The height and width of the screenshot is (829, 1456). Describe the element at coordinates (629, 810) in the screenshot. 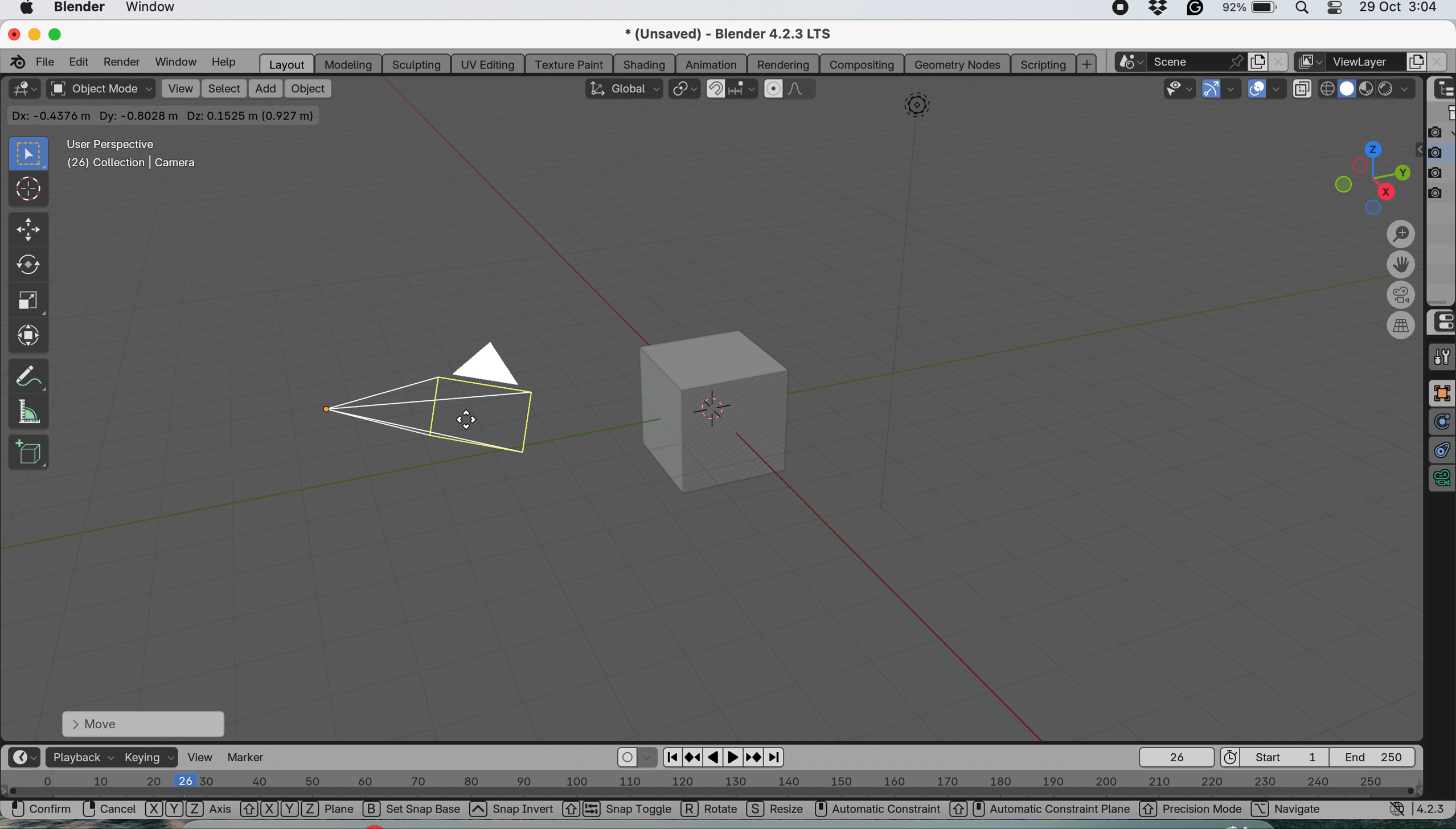

I see `snap toggle` at that location.